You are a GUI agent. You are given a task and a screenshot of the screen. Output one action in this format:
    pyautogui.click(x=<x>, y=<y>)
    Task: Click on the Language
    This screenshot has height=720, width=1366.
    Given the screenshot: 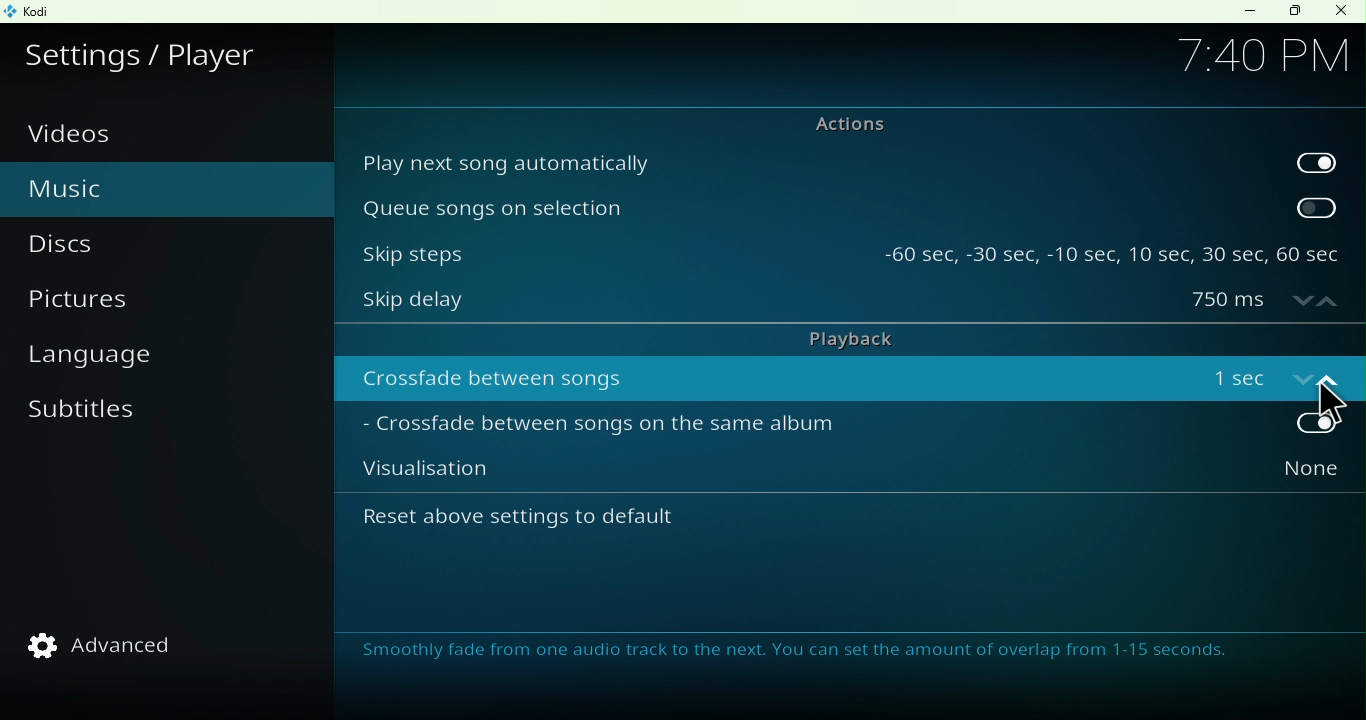 What is the action you would take?
    pyautogui.click(x=108, y=360)
    